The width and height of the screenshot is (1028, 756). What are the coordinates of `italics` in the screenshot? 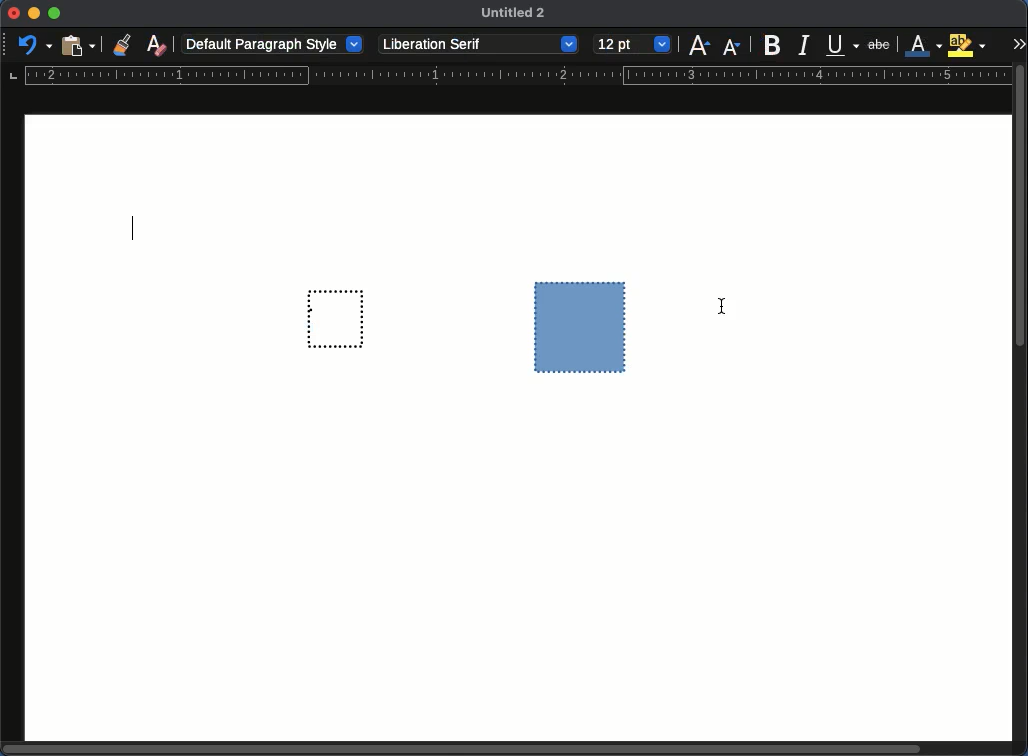 It's located at (805, 45).